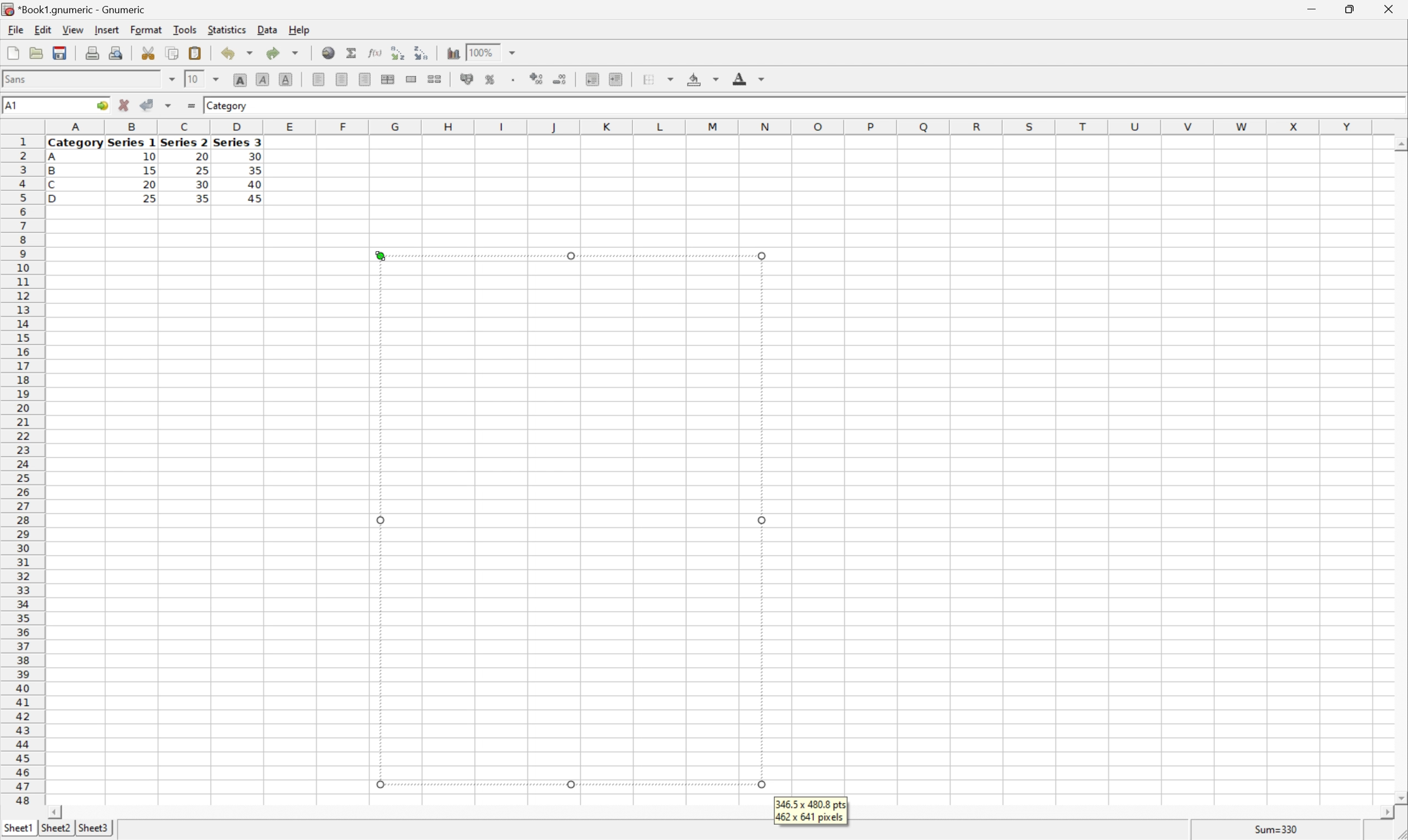 The width and height of the screenshot is (1408, 840). What do you see at coordinates (195, 52) in the screenshot?
I see `Paste clipboard` at bounding box center [195, 52].